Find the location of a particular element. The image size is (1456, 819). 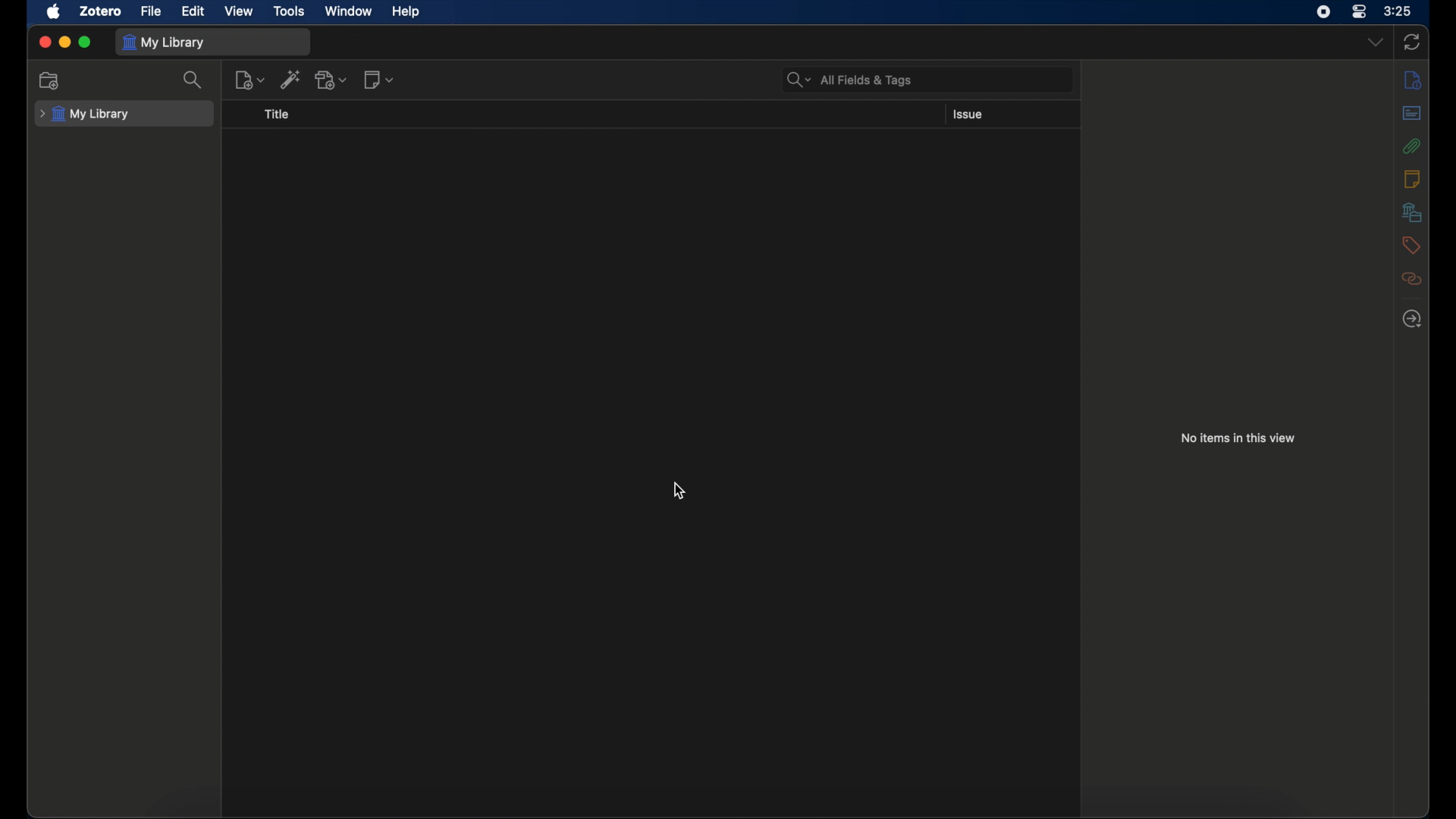

notes is located at coordinates (1412, 178).